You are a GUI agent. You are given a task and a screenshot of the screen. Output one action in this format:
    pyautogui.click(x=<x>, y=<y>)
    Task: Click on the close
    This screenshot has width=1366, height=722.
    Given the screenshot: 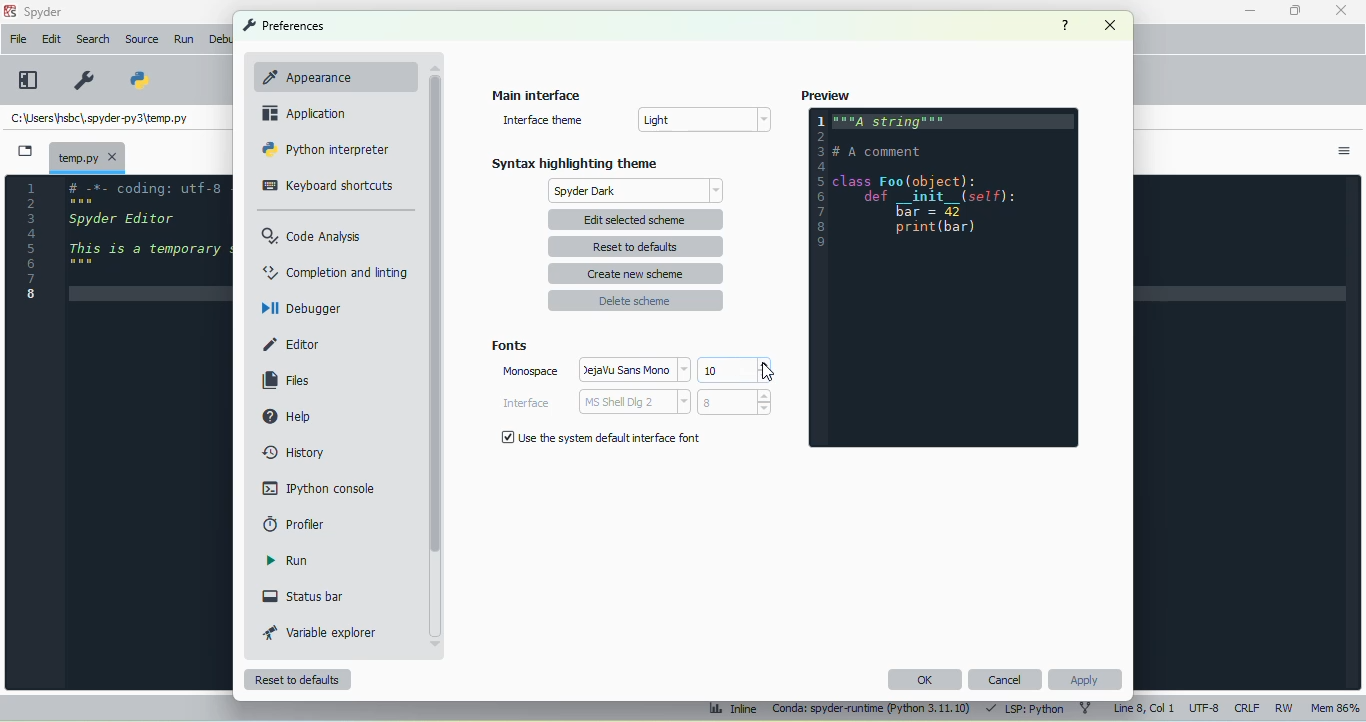 What is the action you would take?
    pyautogui.click(x=1111, y=25)
    